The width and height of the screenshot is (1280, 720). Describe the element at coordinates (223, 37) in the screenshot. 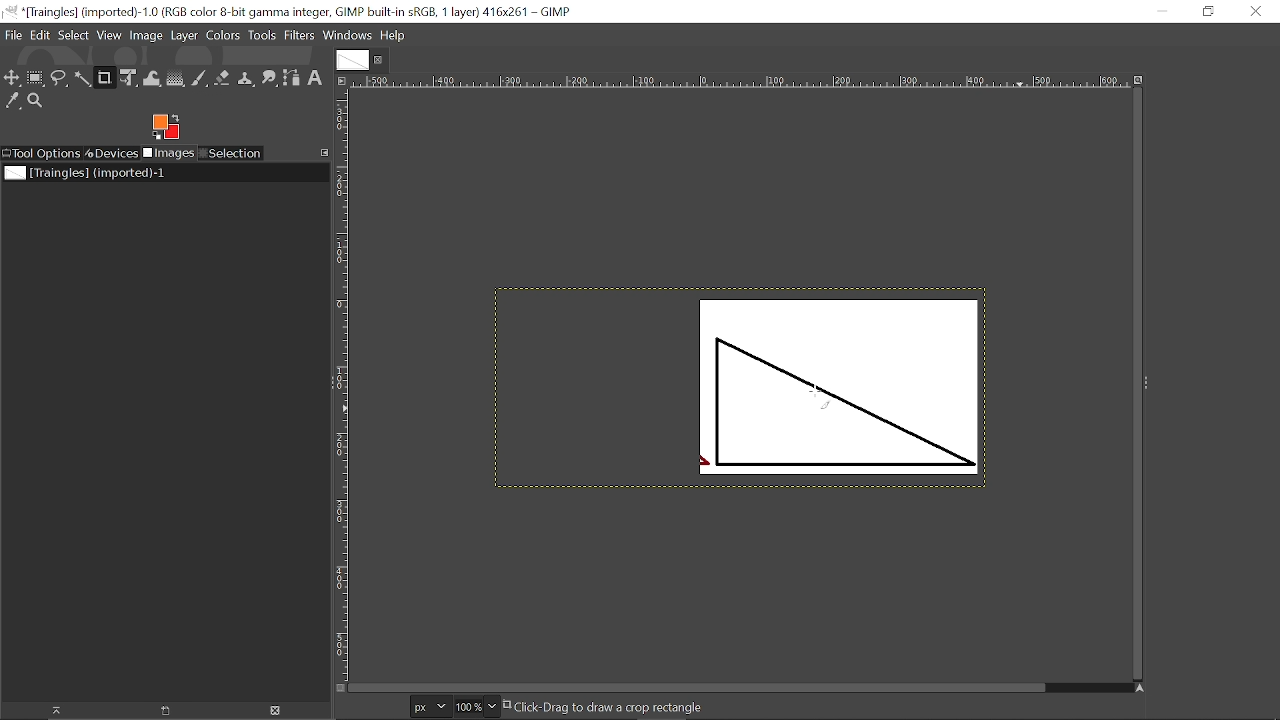

I see `Colors` at that location.